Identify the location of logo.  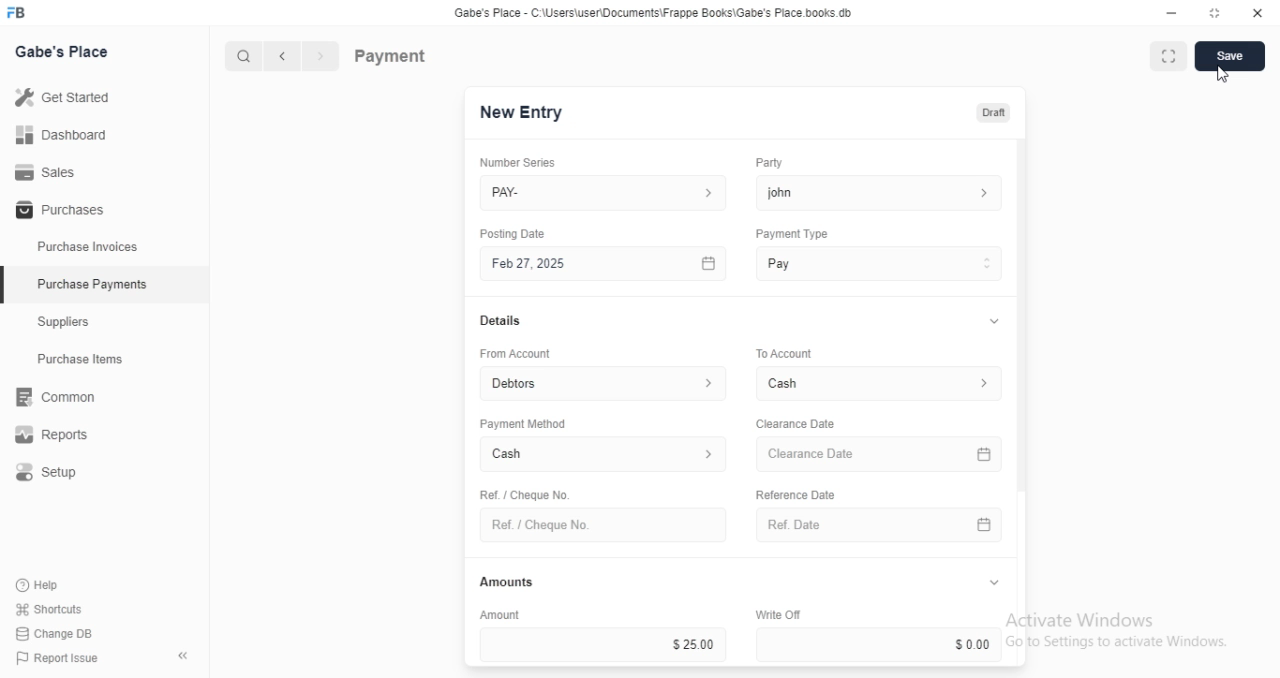
(22, 13).